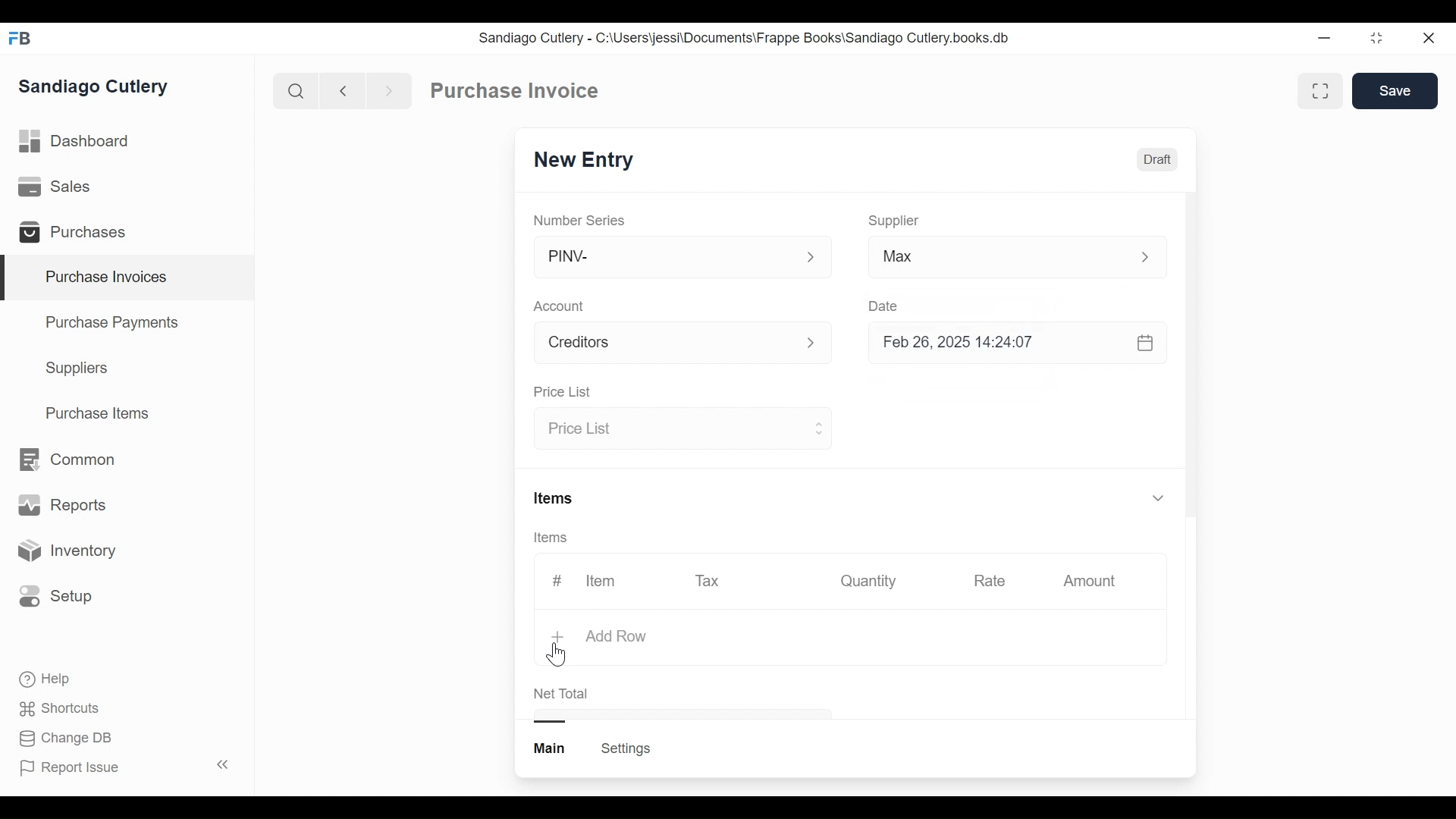 This screenshot has width=1456, height=819. Describe the element at coordinates (62, 508) in the screenshot. I see `Reports` at that location.